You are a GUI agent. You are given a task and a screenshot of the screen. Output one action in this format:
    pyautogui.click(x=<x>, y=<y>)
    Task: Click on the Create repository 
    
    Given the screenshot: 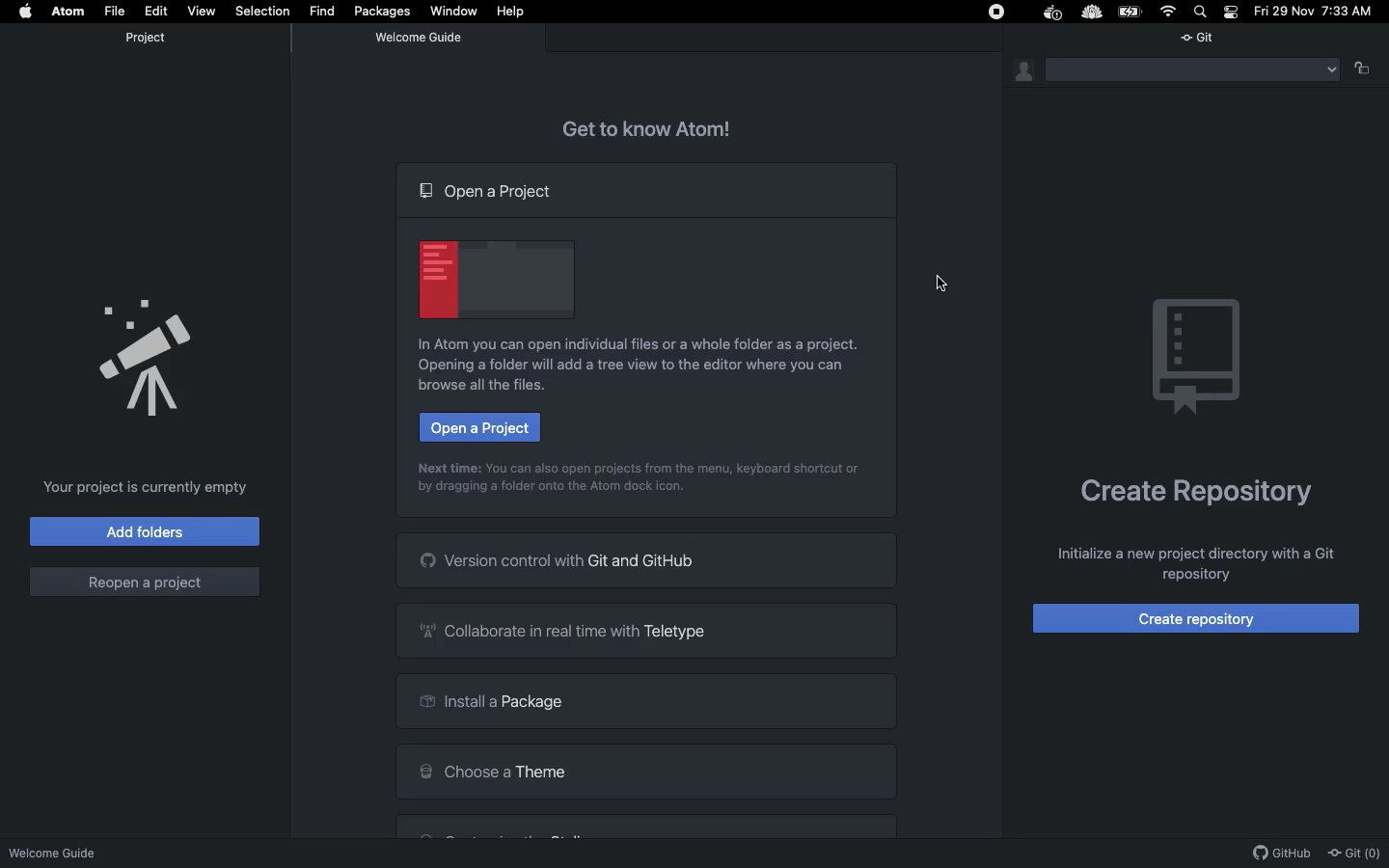 What is the action you would take?
    pyautogui.click(x=1198, y=619)
    